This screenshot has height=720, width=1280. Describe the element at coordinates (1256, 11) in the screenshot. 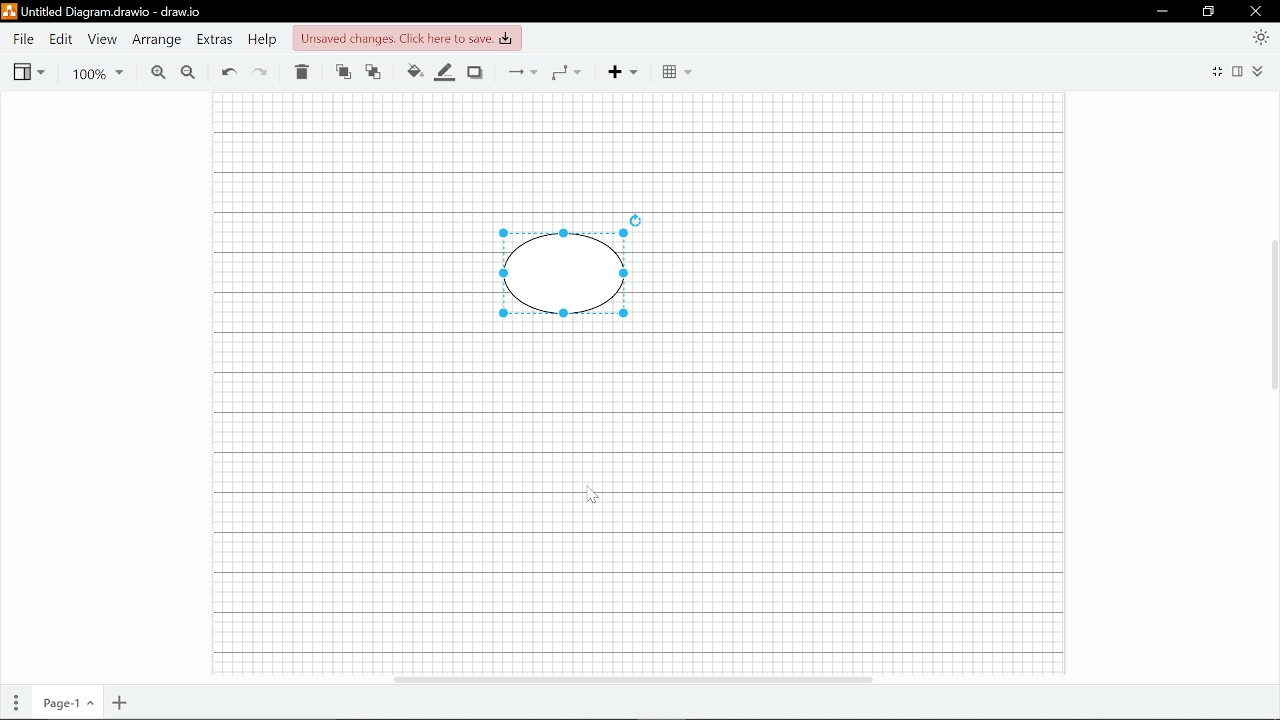

I see `Close` at that location.